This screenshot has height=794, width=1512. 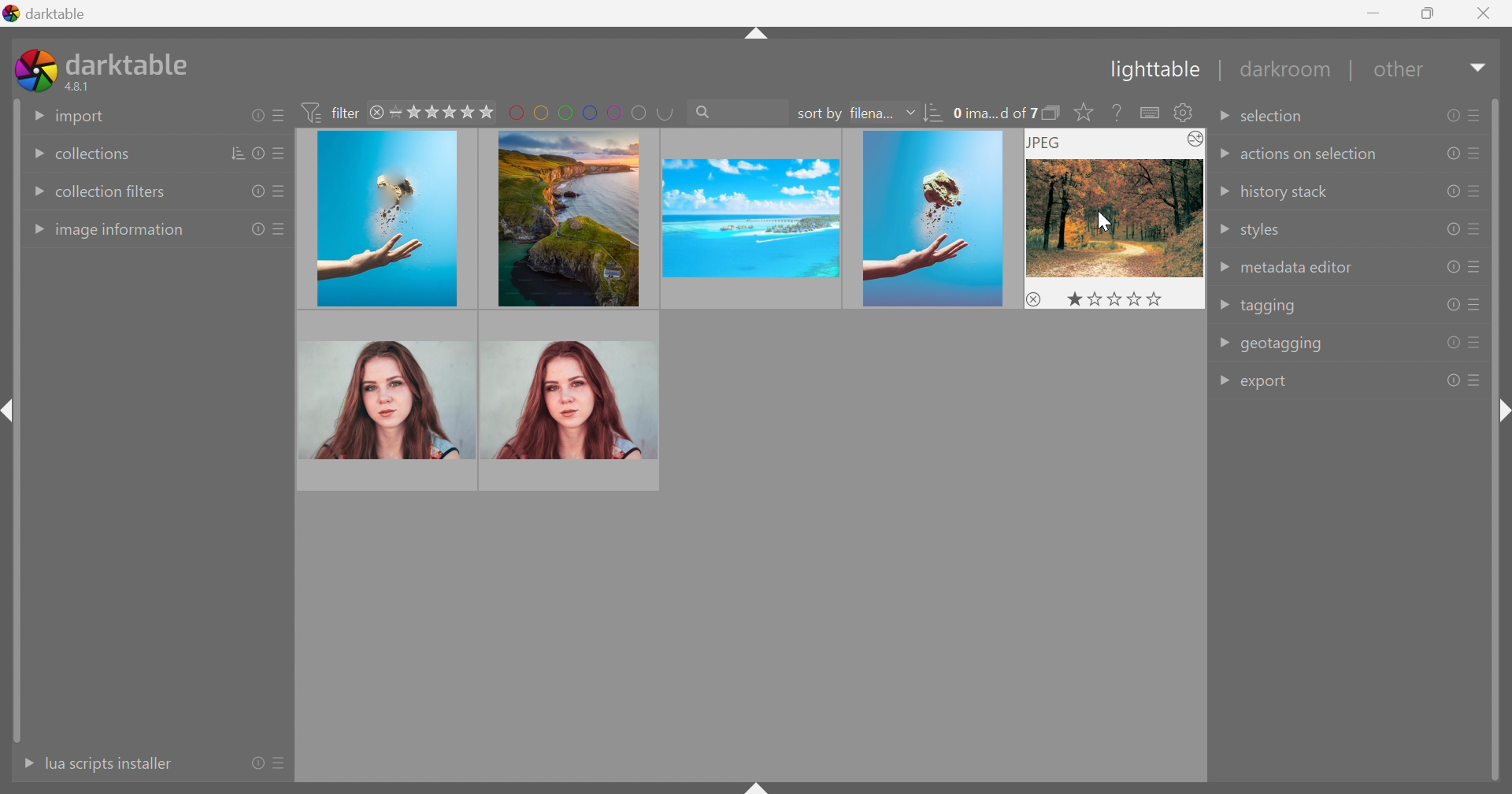 I want to click on shift+ctrl+t, so click(x=754, y=36).